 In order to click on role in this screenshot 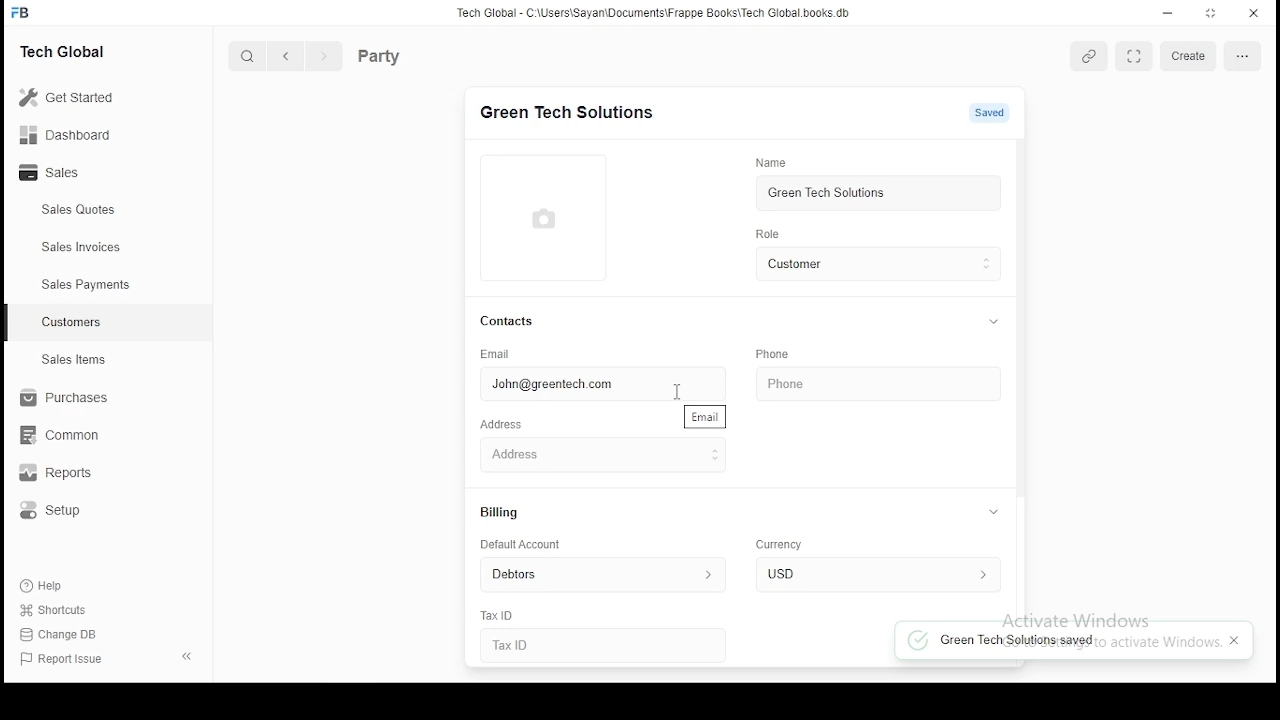, I will do `click(766, 234)`.